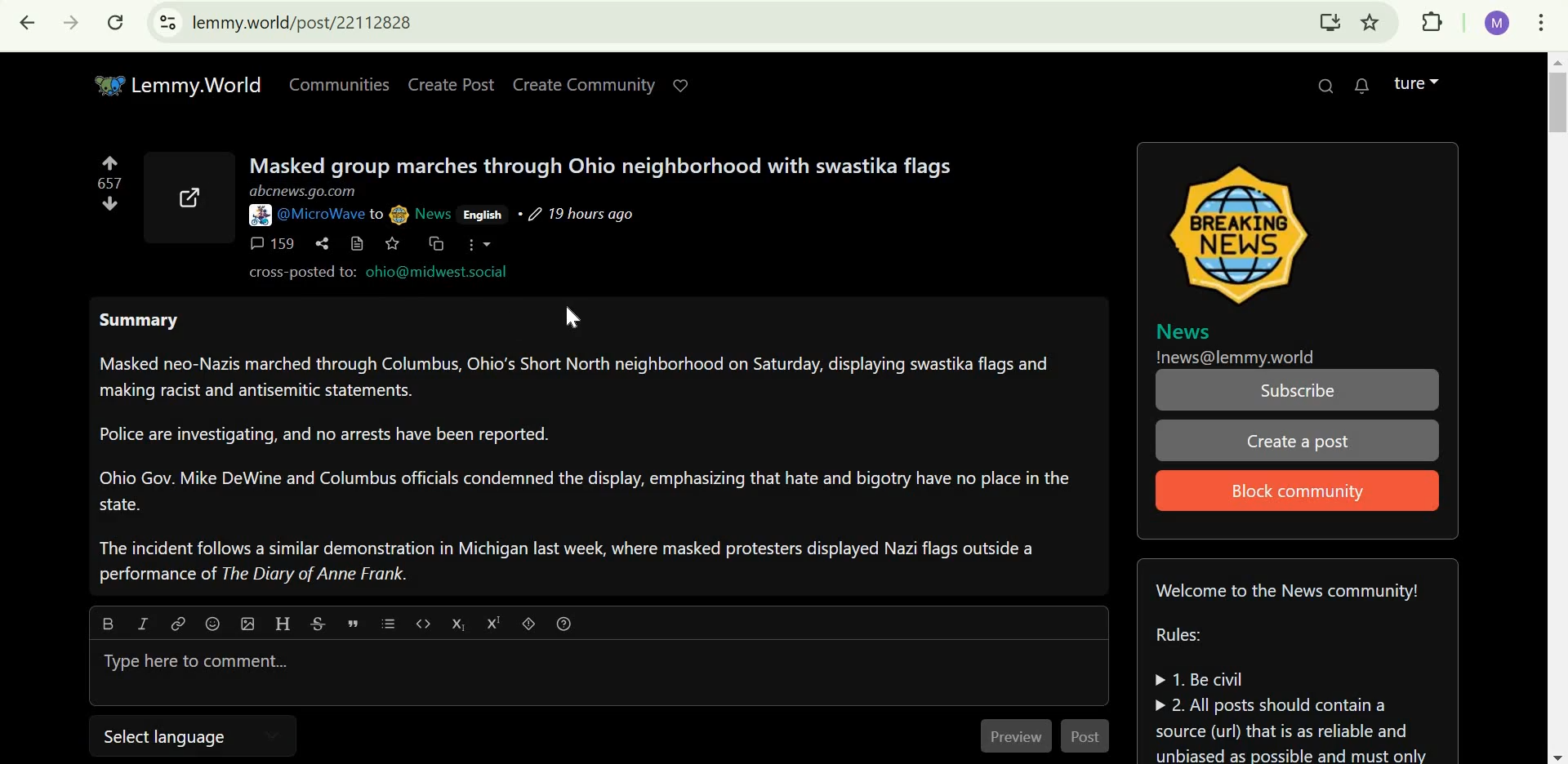 The height and width of the screenshot is (764, 1568). What do you see at coordinates (1325, 85) in the screenshot?
I see `search` at bounding box center [1325, 85].